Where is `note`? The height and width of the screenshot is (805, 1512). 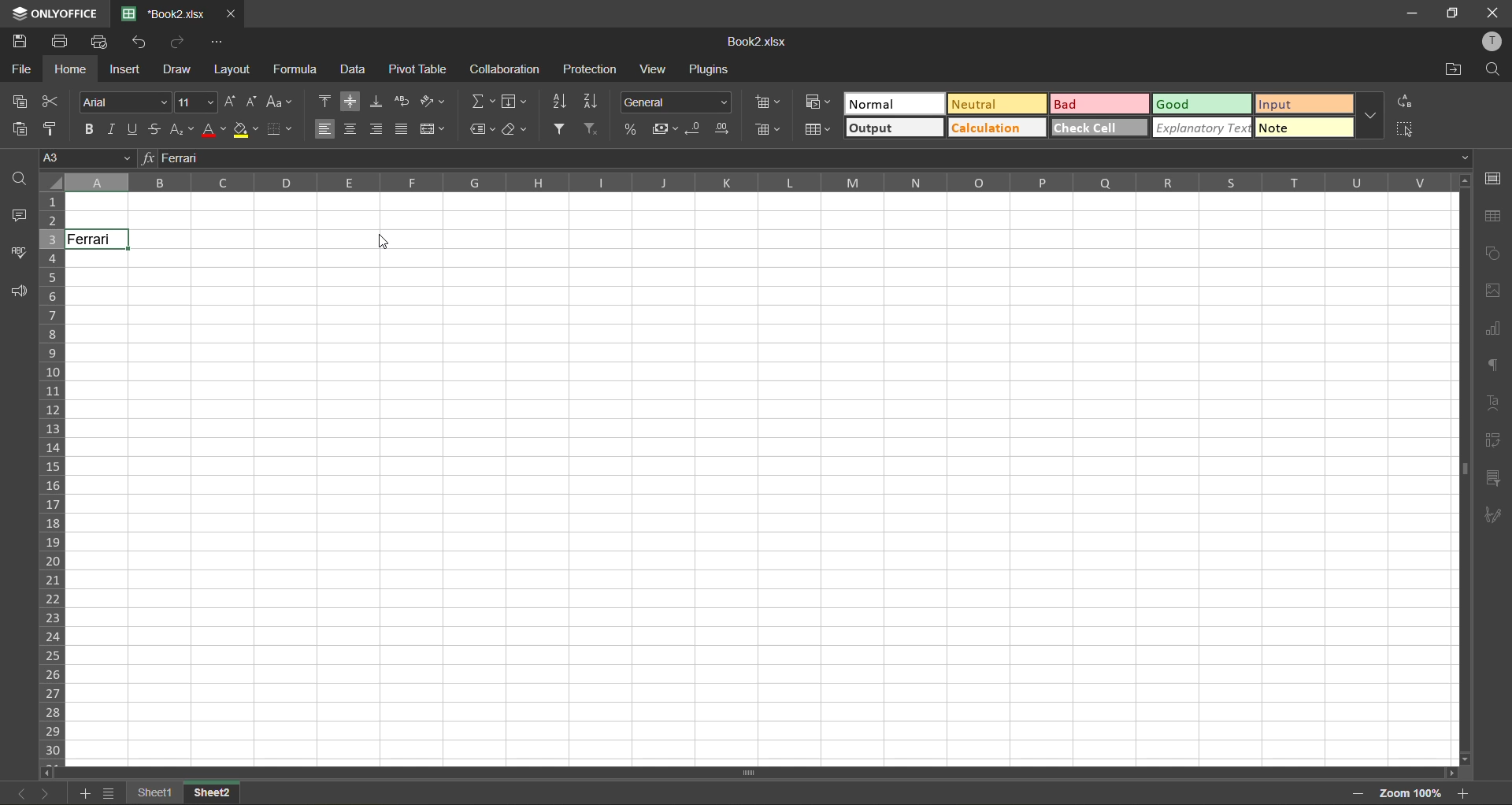
note is located at coordinates (1306, 129).